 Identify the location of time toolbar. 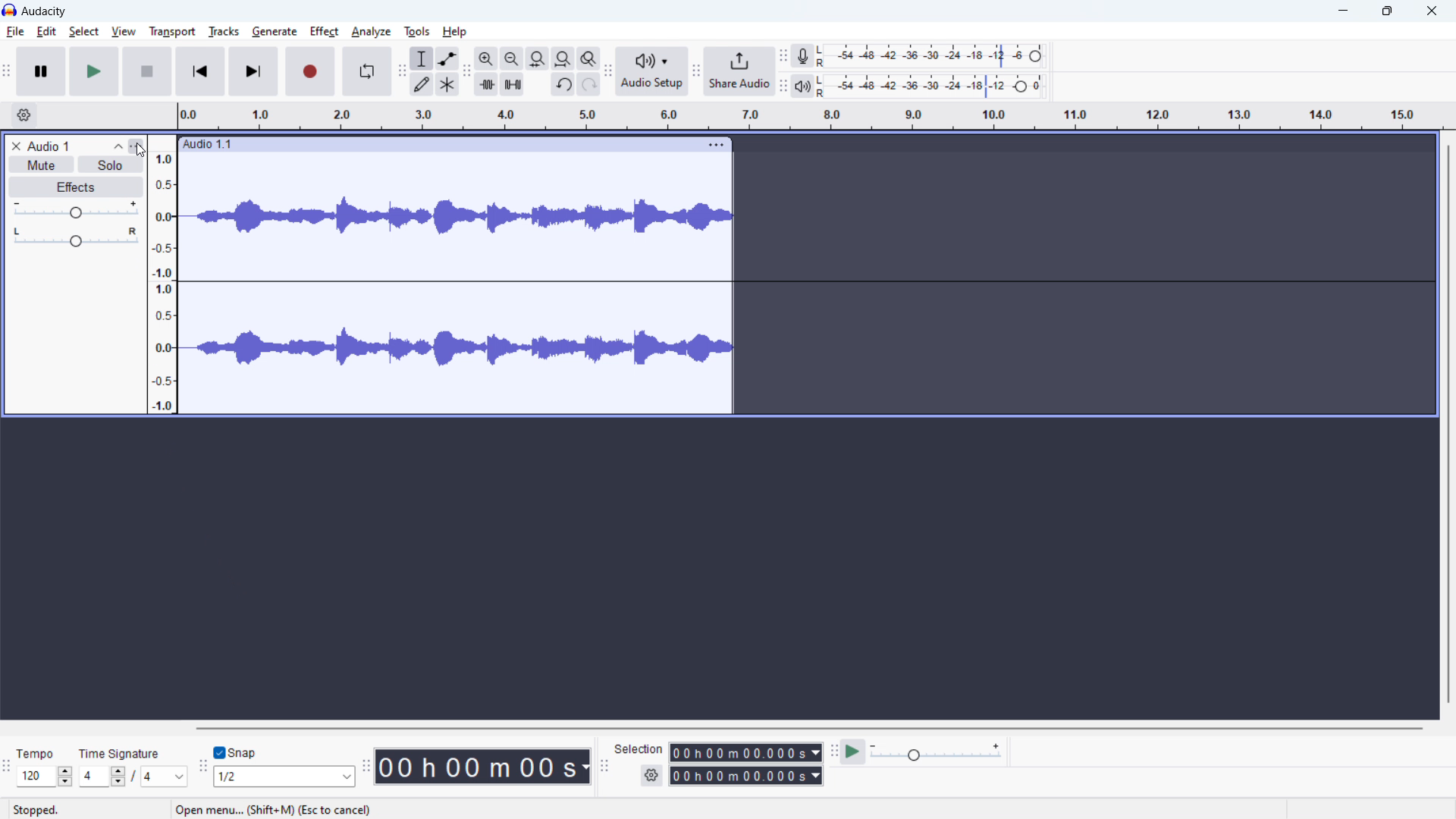
(366, 767).